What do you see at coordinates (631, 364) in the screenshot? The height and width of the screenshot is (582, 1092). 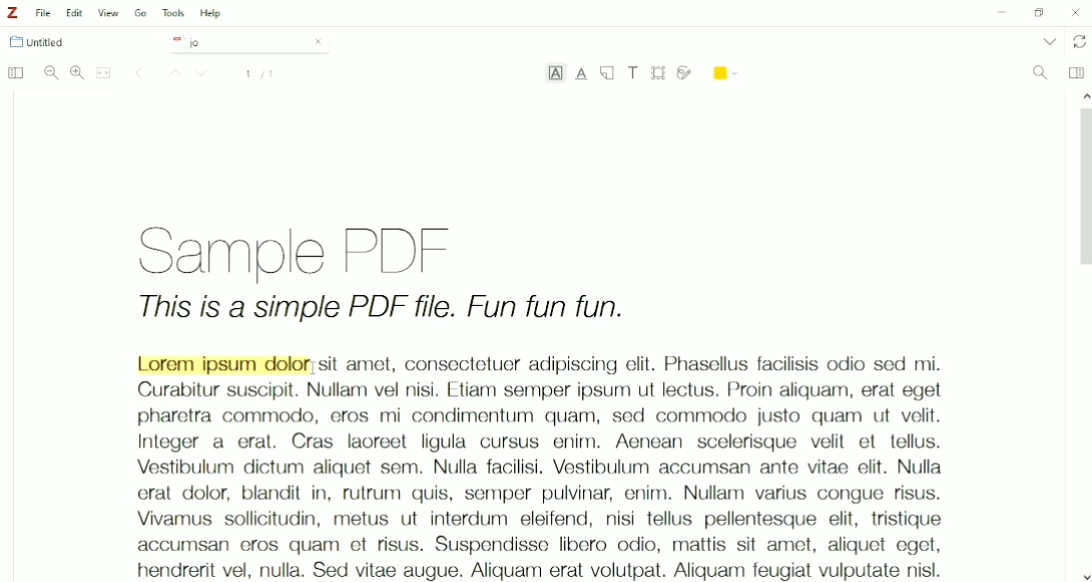 I see `sit amet, consectetuer adipiscing elit. Phasellus facilisis odio sed mi.` at bounding box center [631, 364].